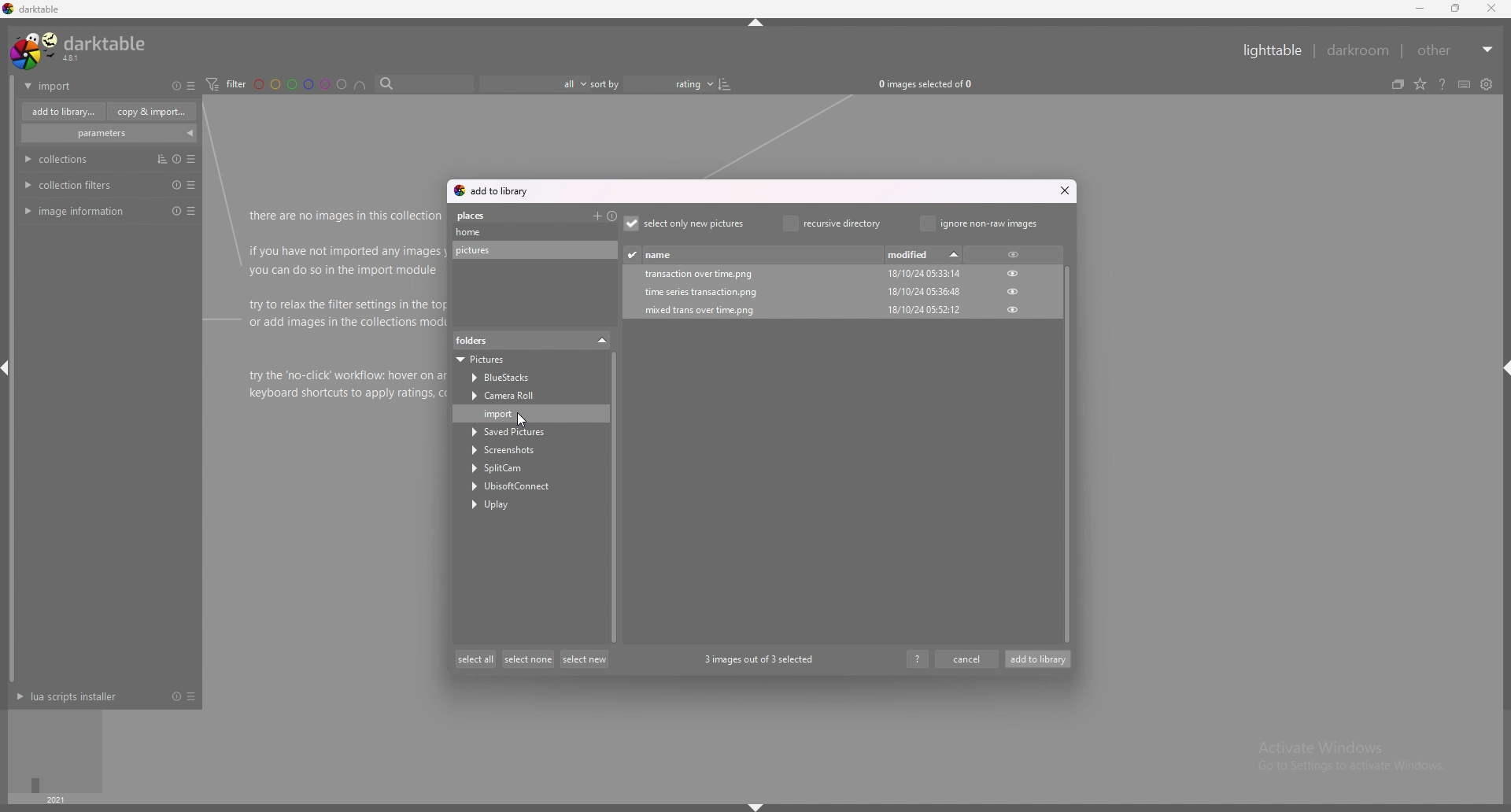 The width and height of the screenshot is (1511, 812). What do you see at coordinates (513, 252) in the screenshot?
I see `pictures` at bounding box center [513, 252].